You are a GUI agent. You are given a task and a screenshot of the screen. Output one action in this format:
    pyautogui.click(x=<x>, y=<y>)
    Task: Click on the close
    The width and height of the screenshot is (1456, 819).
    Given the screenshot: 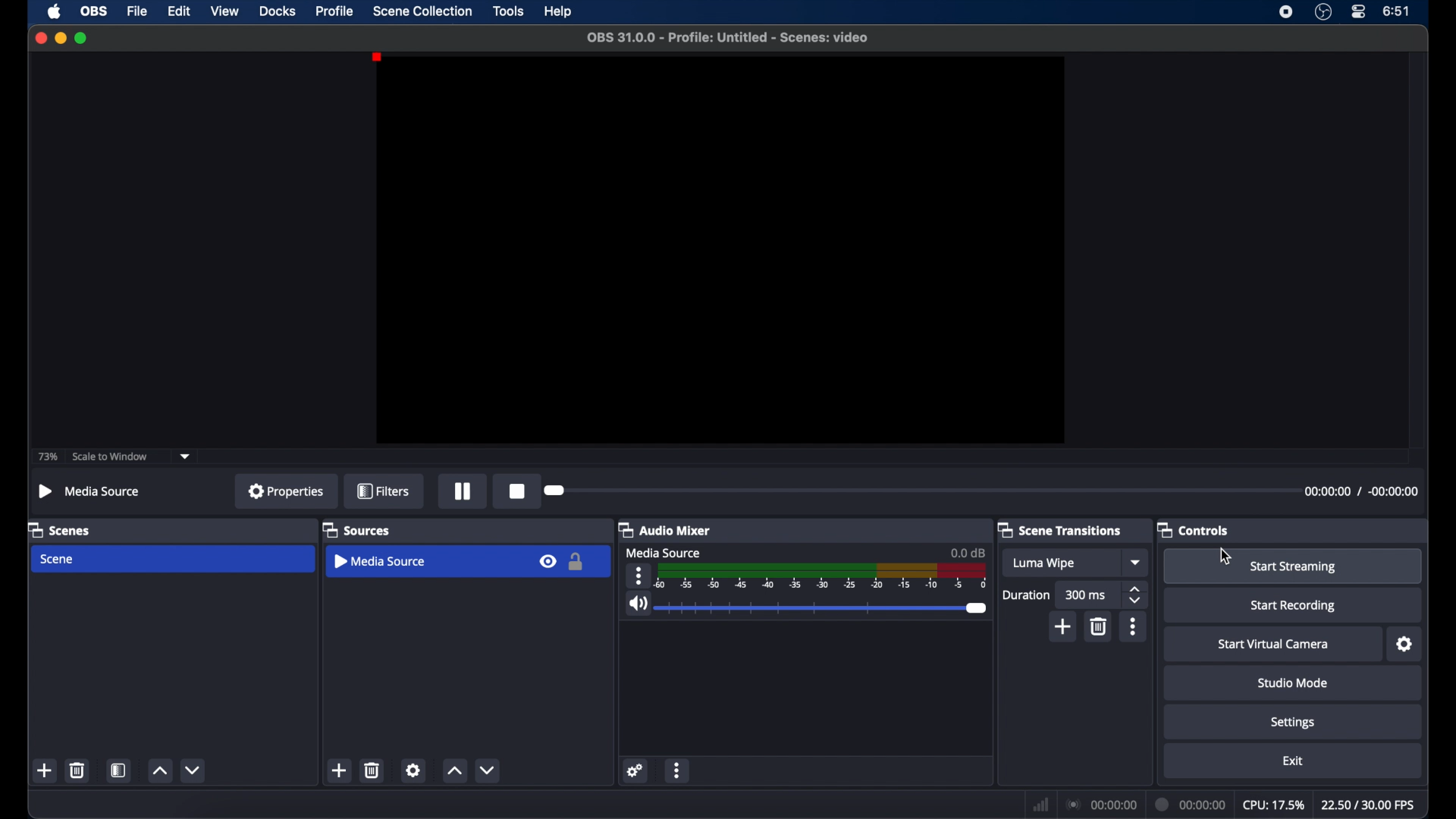 What is the action you would take?
    pyautogui.click(x=40, y=37)
    